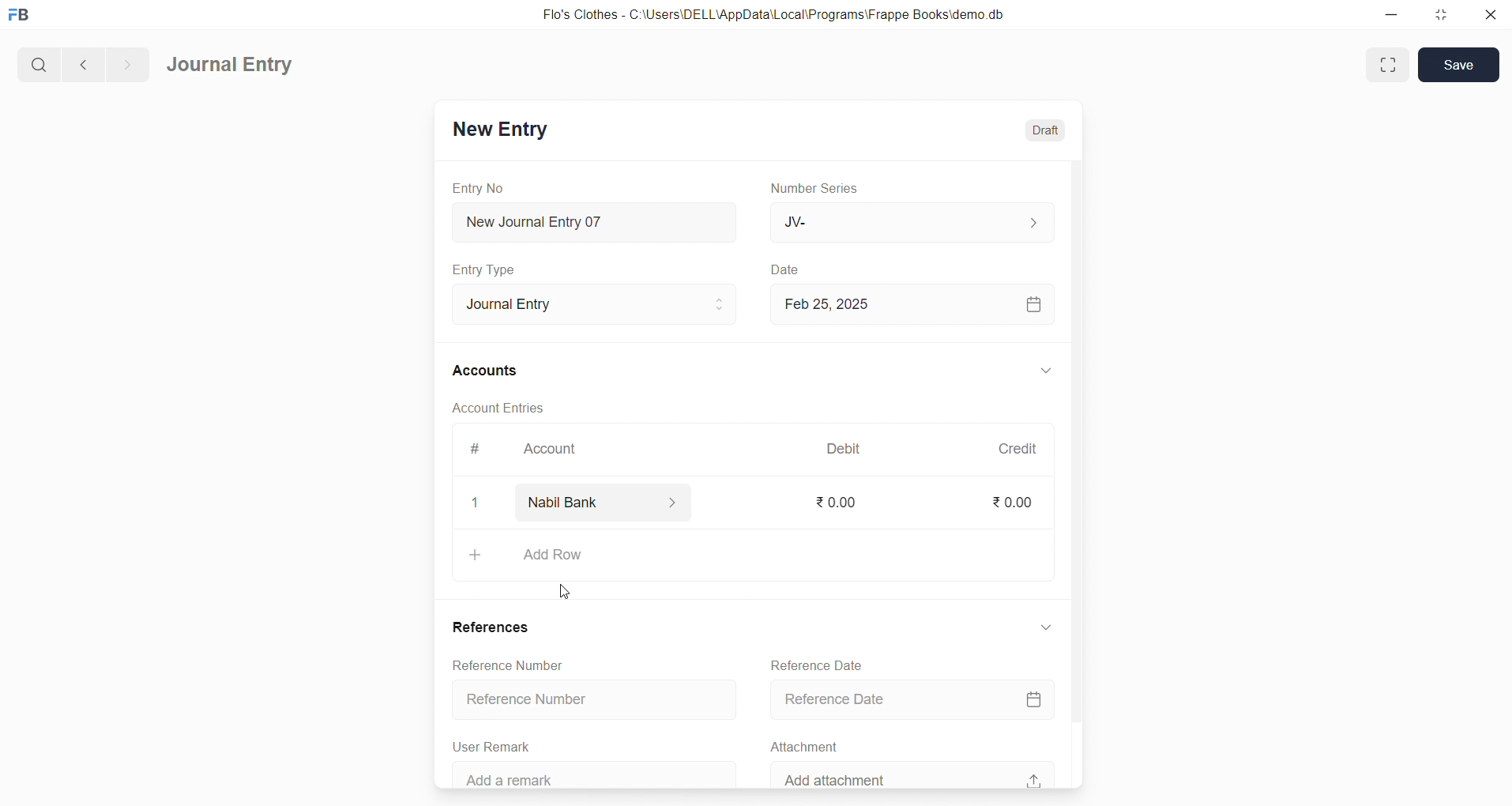 The height and width of the screenshot is (806, 1512). What do you see at coordinates (473, 449) in the screenshot?
I see `#` at bounding box center [473, 449].